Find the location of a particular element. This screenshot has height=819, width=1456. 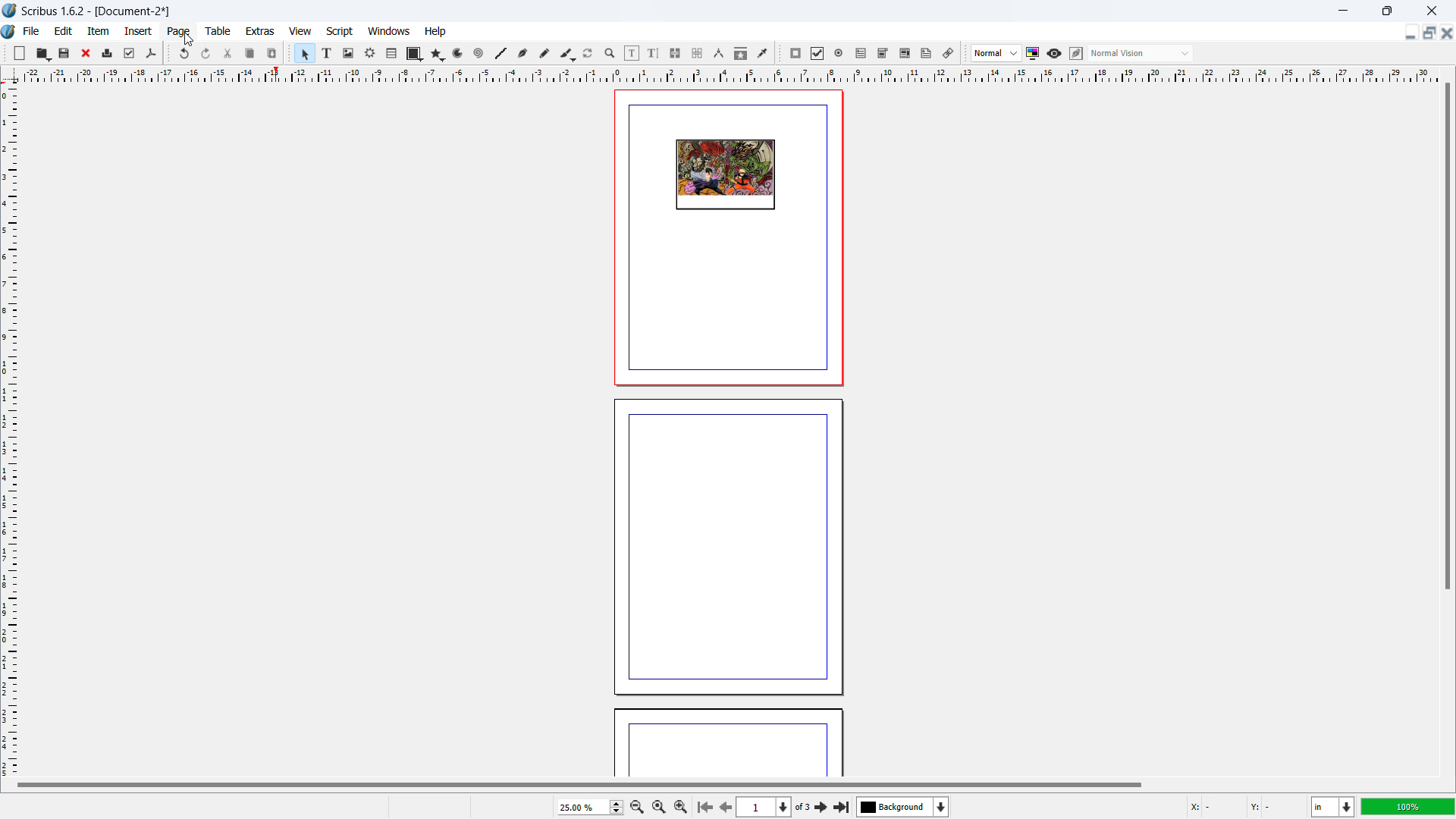

vertical scrollbar is located at coordinates (1447, 338).